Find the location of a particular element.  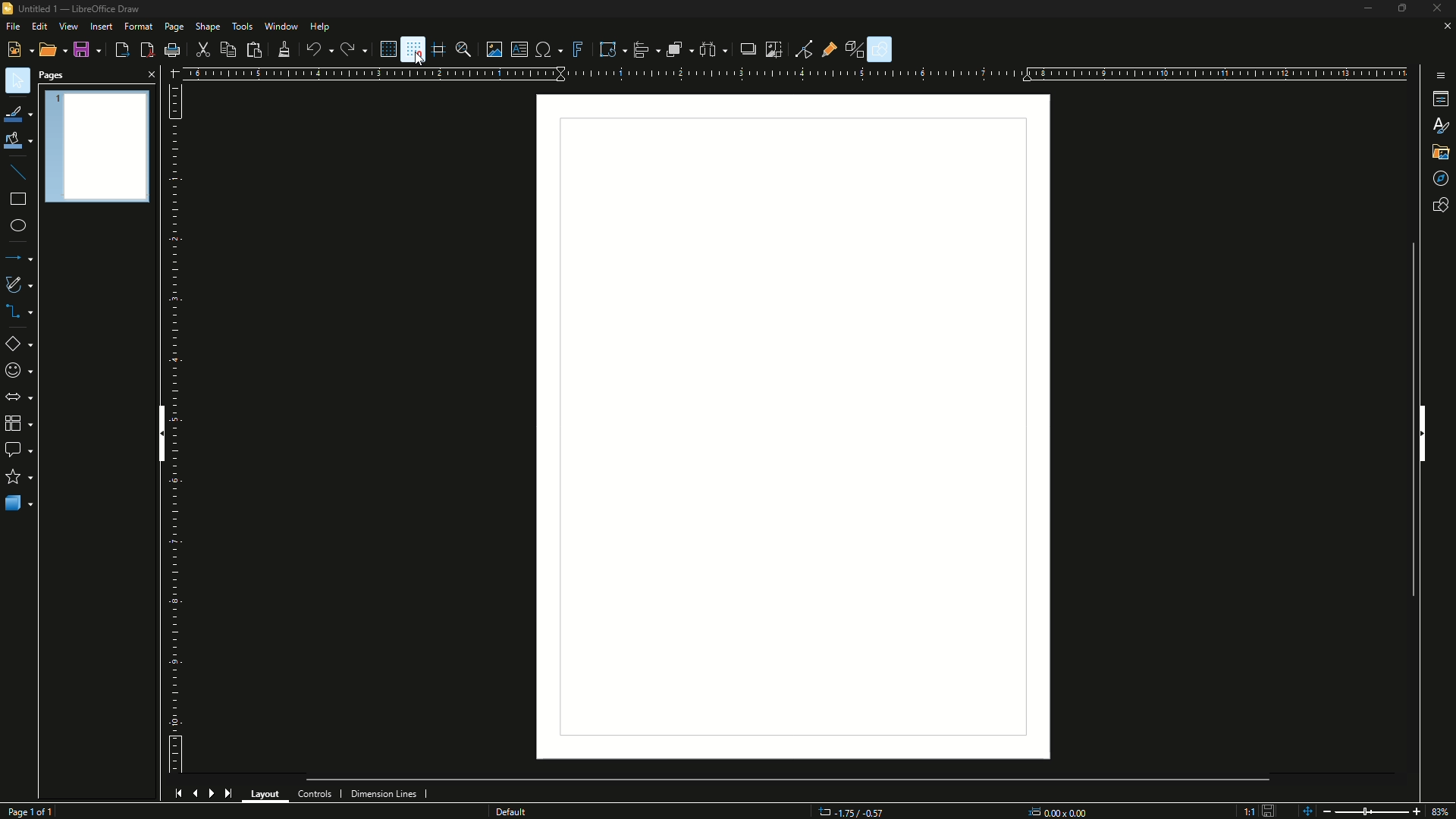

Export directly as PDF is located at coordinates (145, 50).